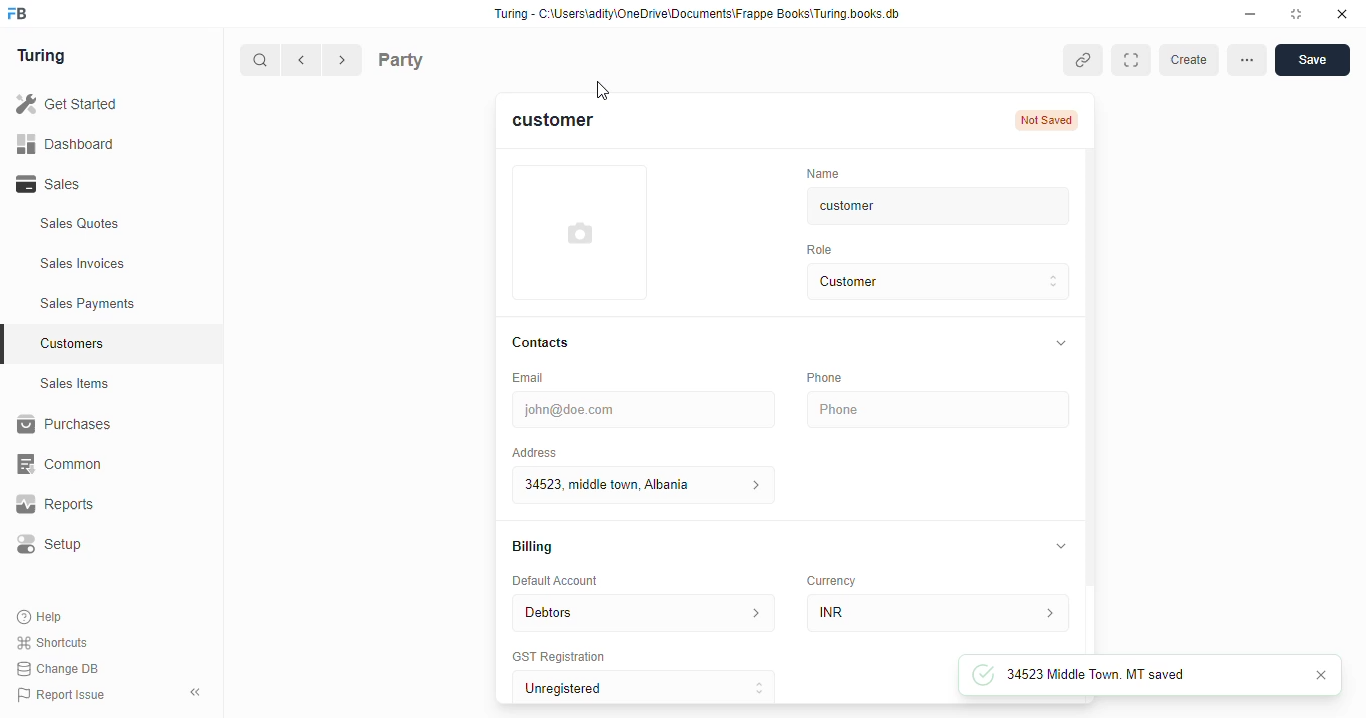 The image size is (1366, 718). What do you see at coordinates (344, 62) in the screenshot?
I see `forward` at bounding box center [344, 62].